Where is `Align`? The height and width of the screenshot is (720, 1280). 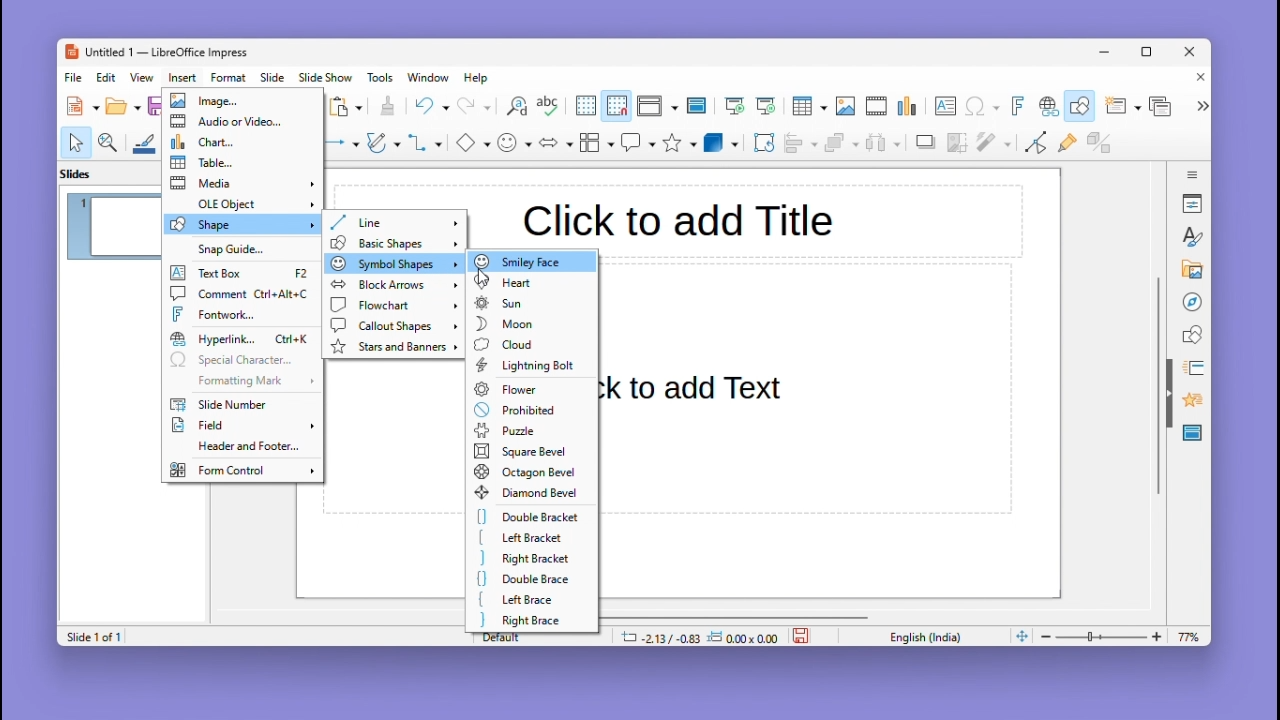 Align is located at coordinates (800, 143).